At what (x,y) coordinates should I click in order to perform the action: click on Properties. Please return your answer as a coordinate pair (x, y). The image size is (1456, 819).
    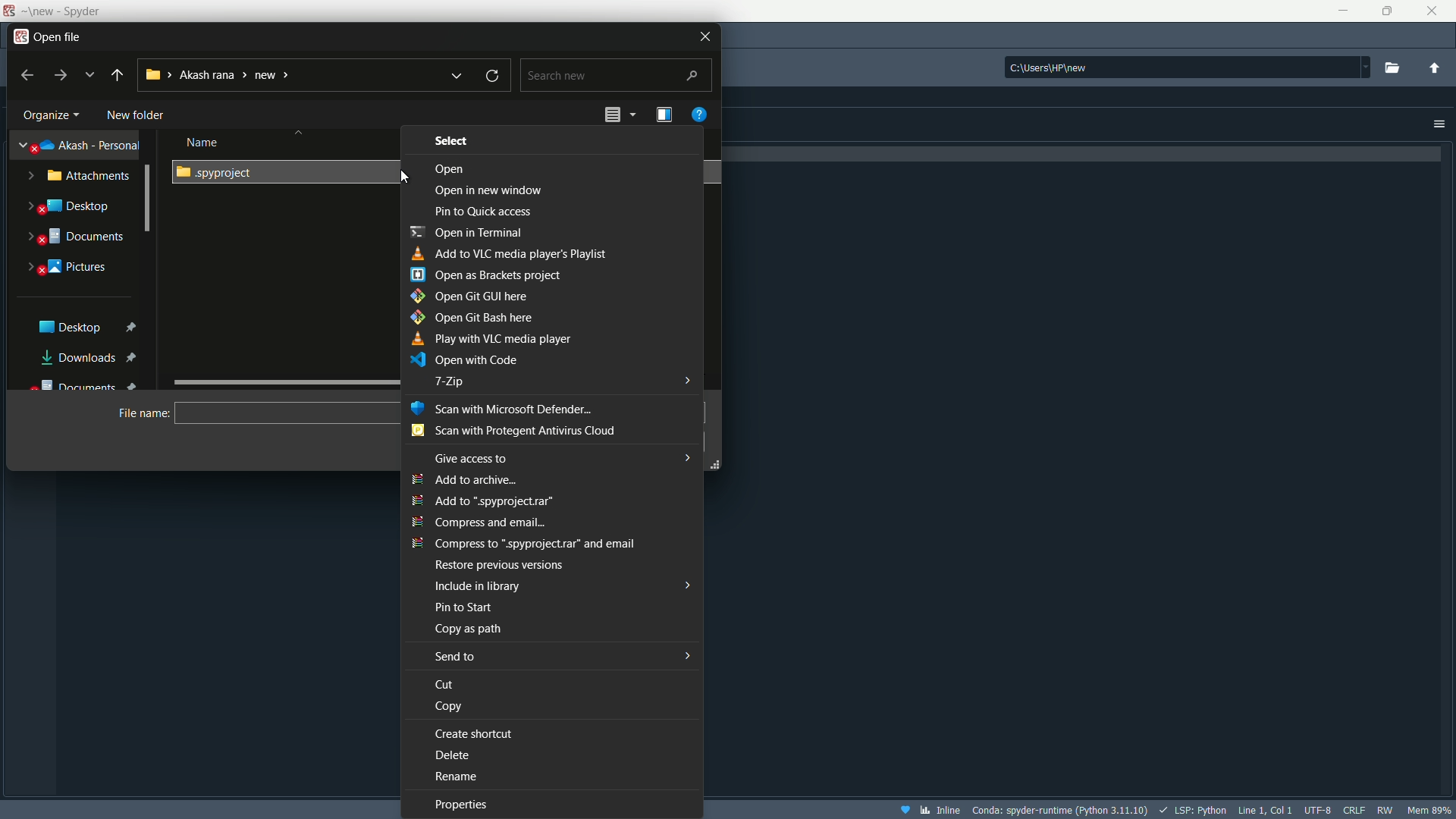
    Looking at the image, I should click on (459, 805).